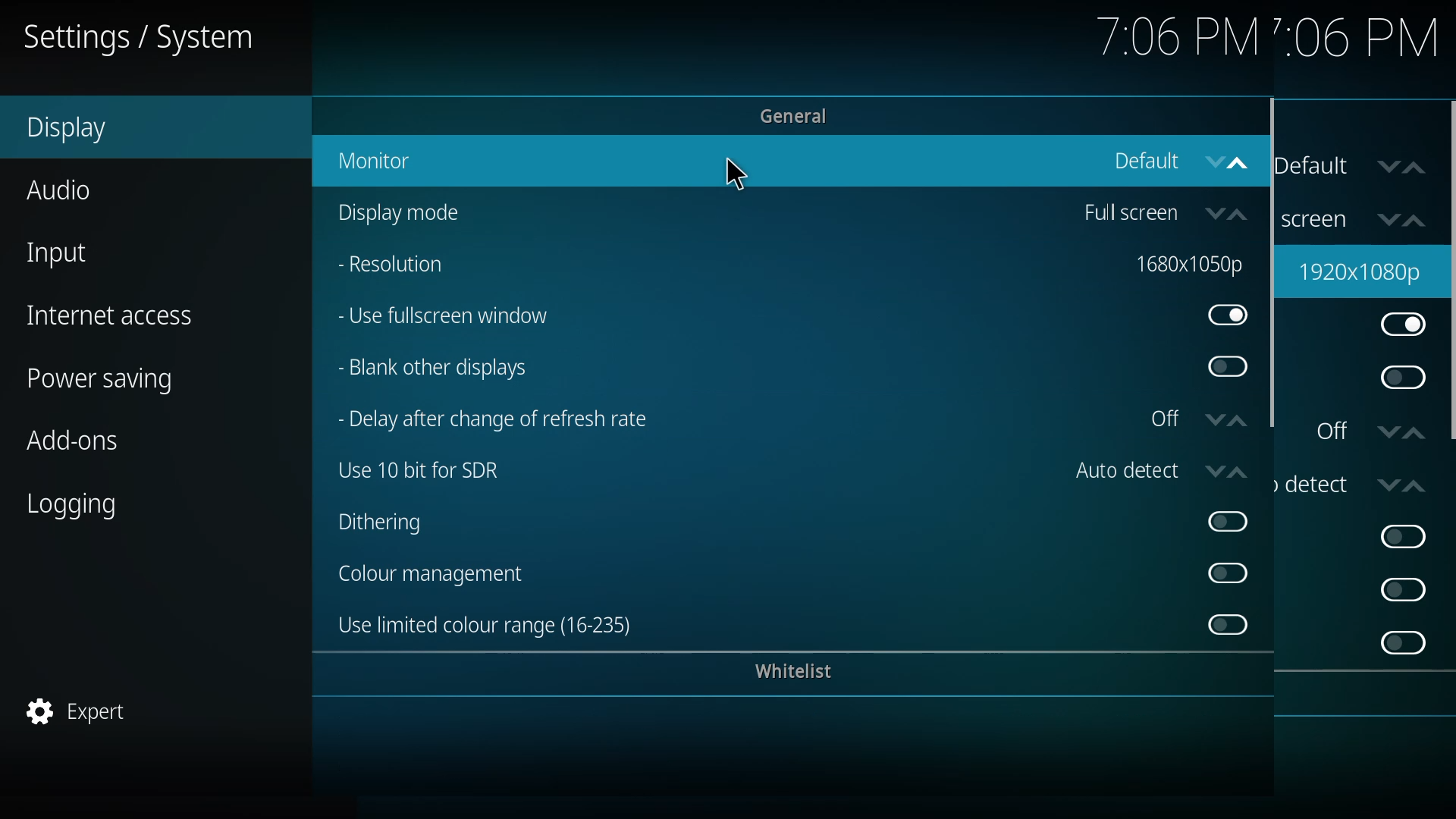  What do you see at coordinates (1156, 212) in the screenshot?
I see `full screen` at bounding box center [1156, 212].